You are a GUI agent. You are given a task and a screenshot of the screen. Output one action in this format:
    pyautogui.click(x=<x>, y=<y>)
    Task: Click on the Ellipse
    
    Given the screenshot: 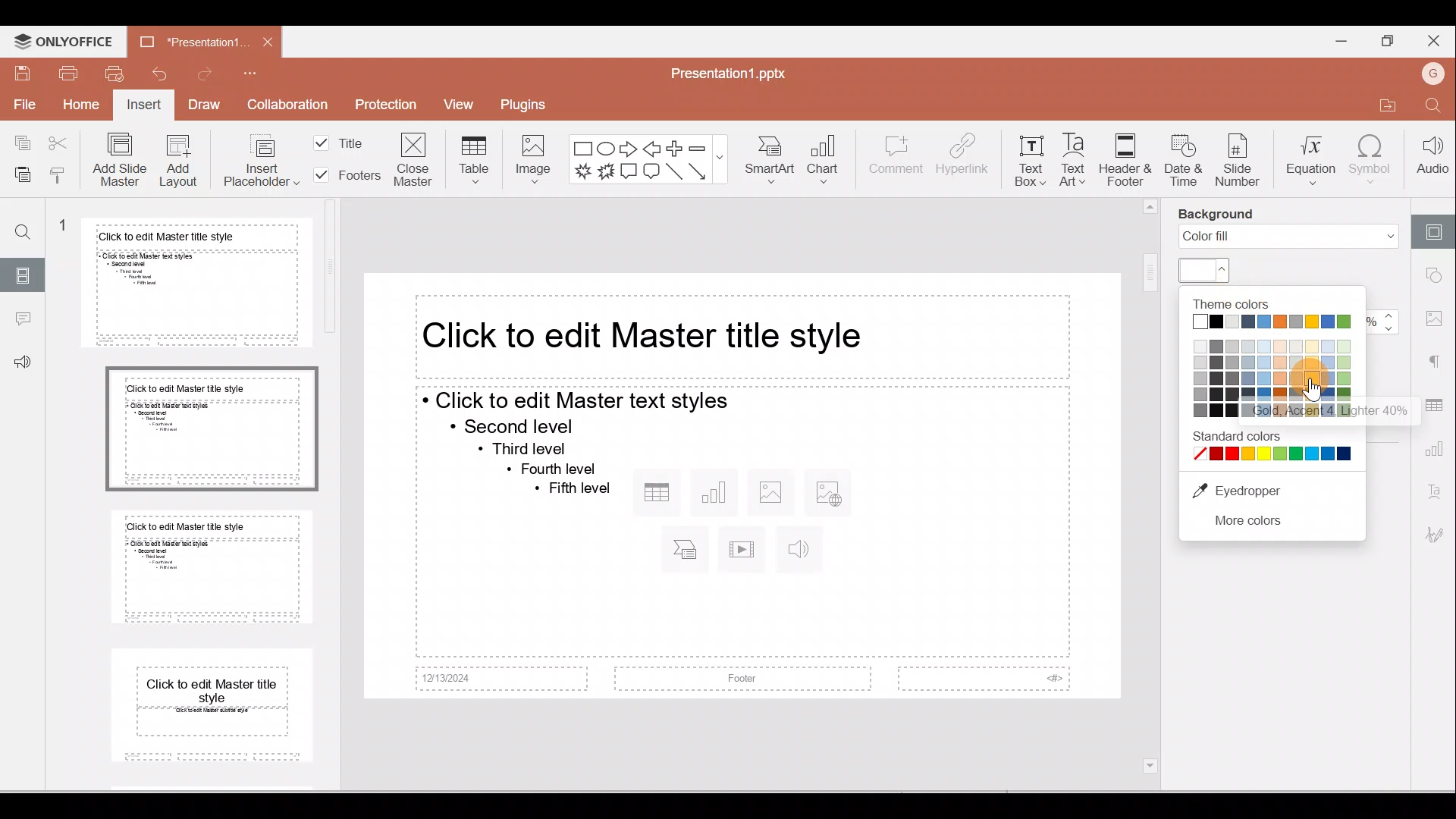 What is the action you would take?
    pyautogui.click(x=606, y=147)
    